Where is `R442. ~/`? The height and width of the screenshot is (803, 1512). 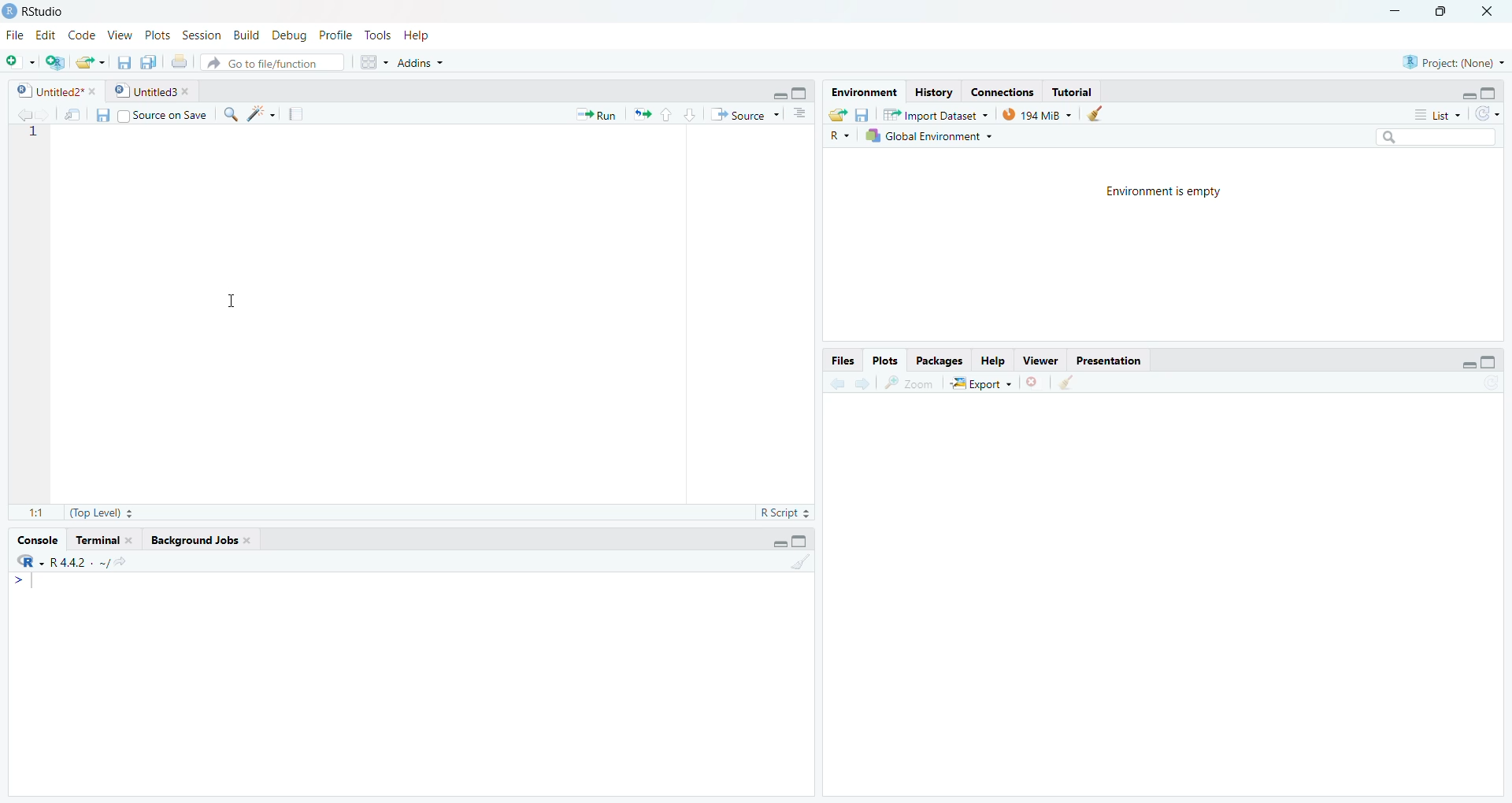
R442. ~/ is located at coordinates (79, 563).